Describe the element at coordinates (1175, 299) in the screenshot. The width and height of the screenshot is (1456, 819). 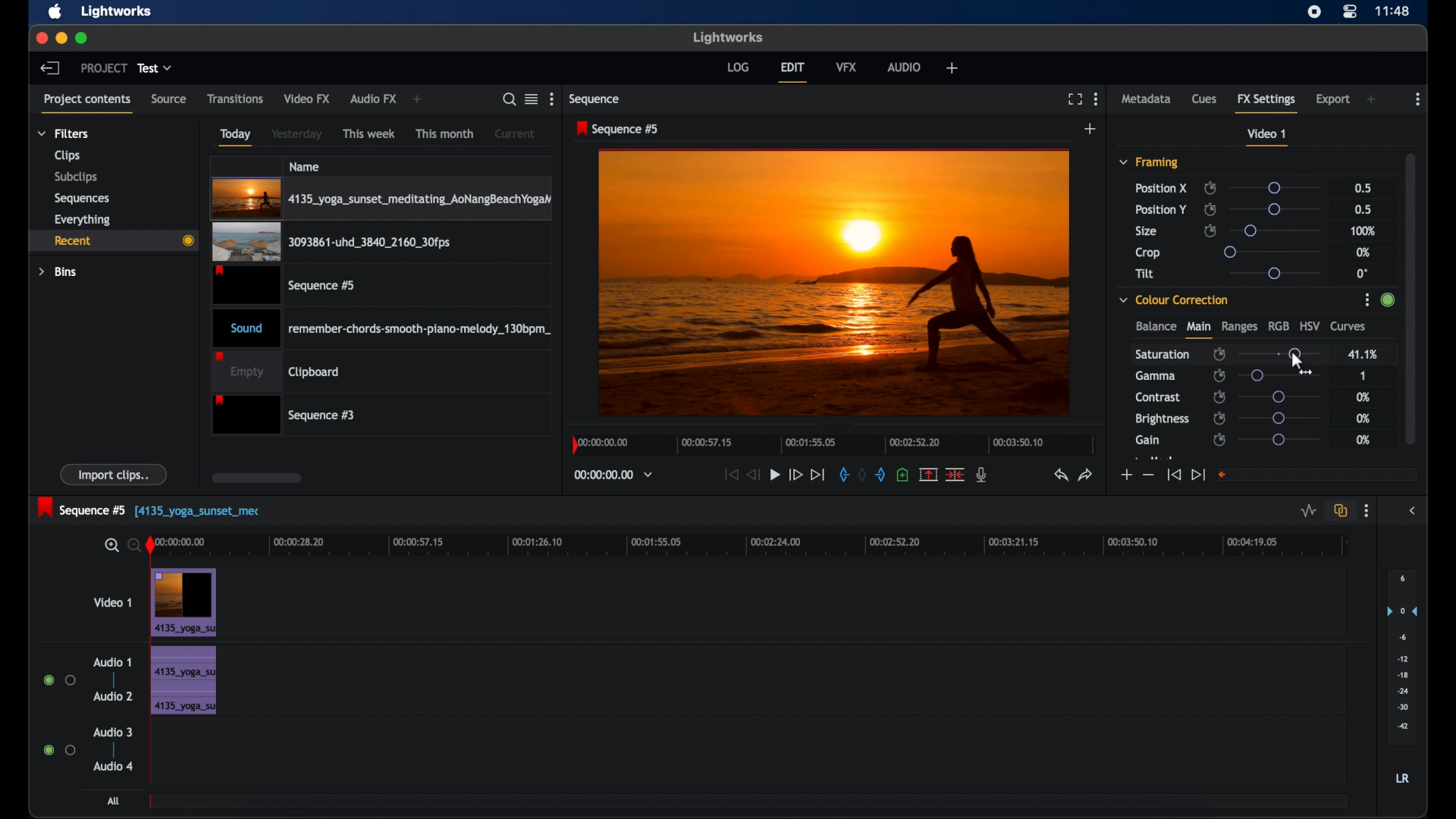
I see `color correction` at that location.